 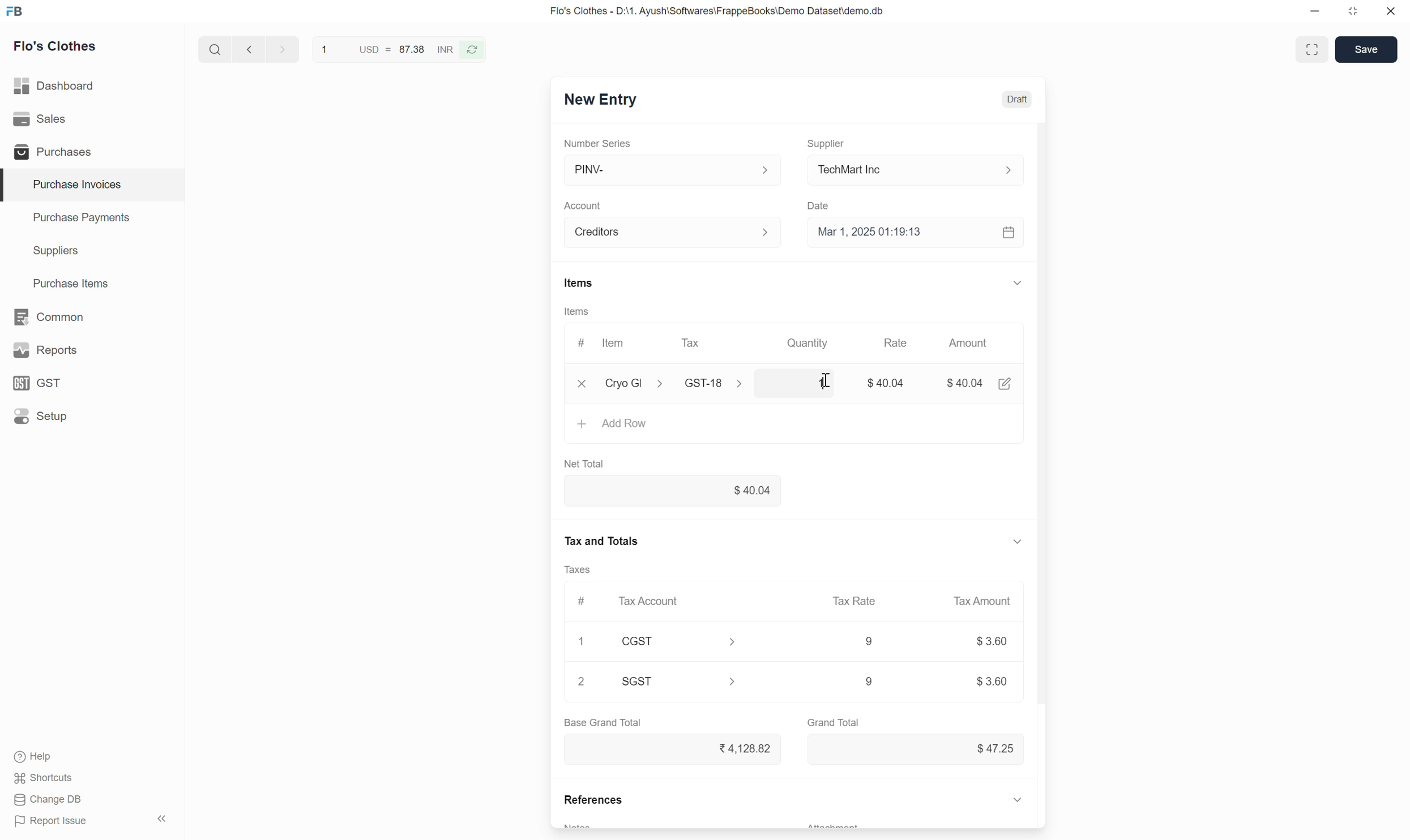 What do you see at coordinates (687, 681) in the screenshot?
I see `SGST` at bounding box center [687, 681].